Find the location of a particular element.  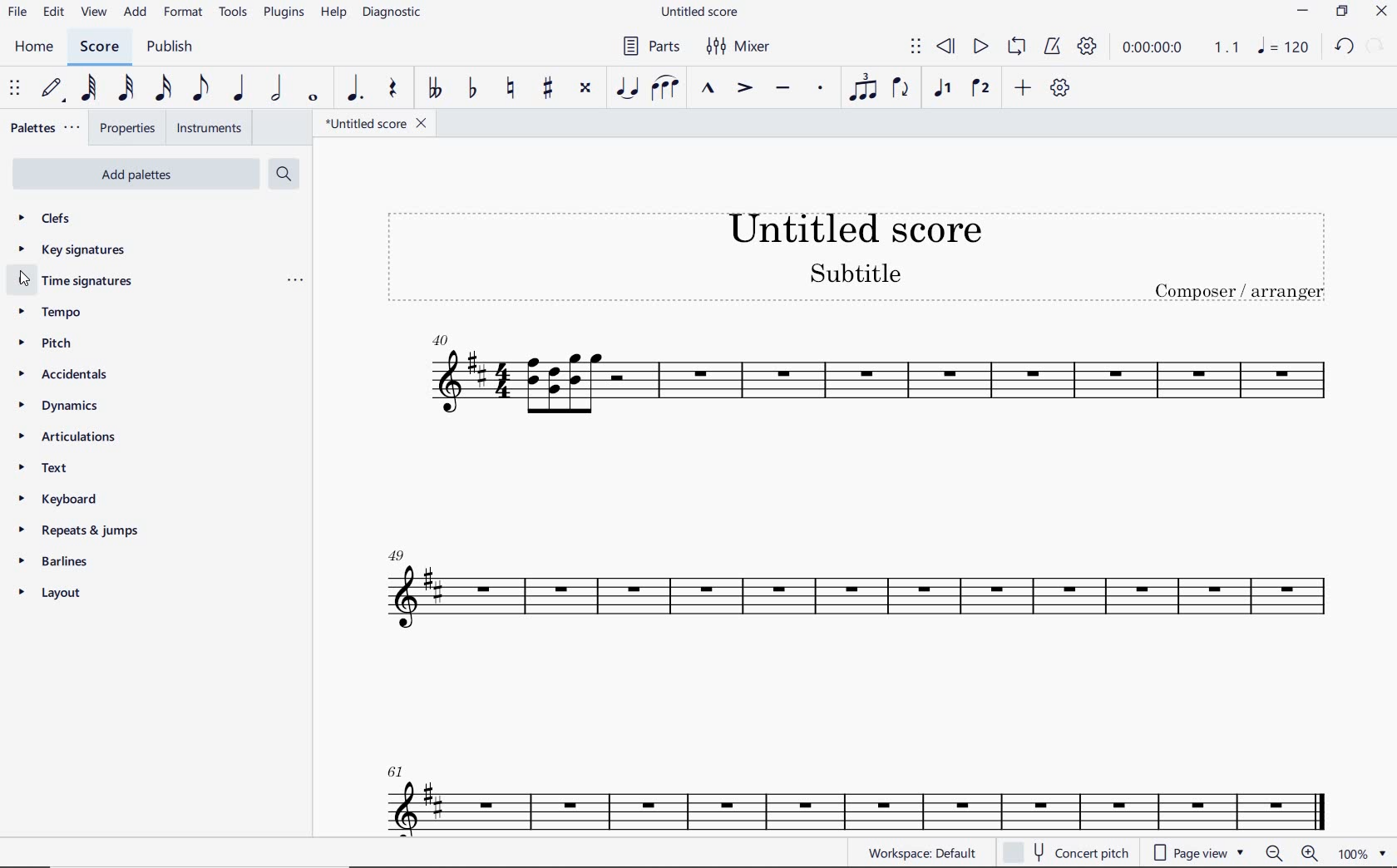

ARTICULATIONS is located at coordinates (66, 437).